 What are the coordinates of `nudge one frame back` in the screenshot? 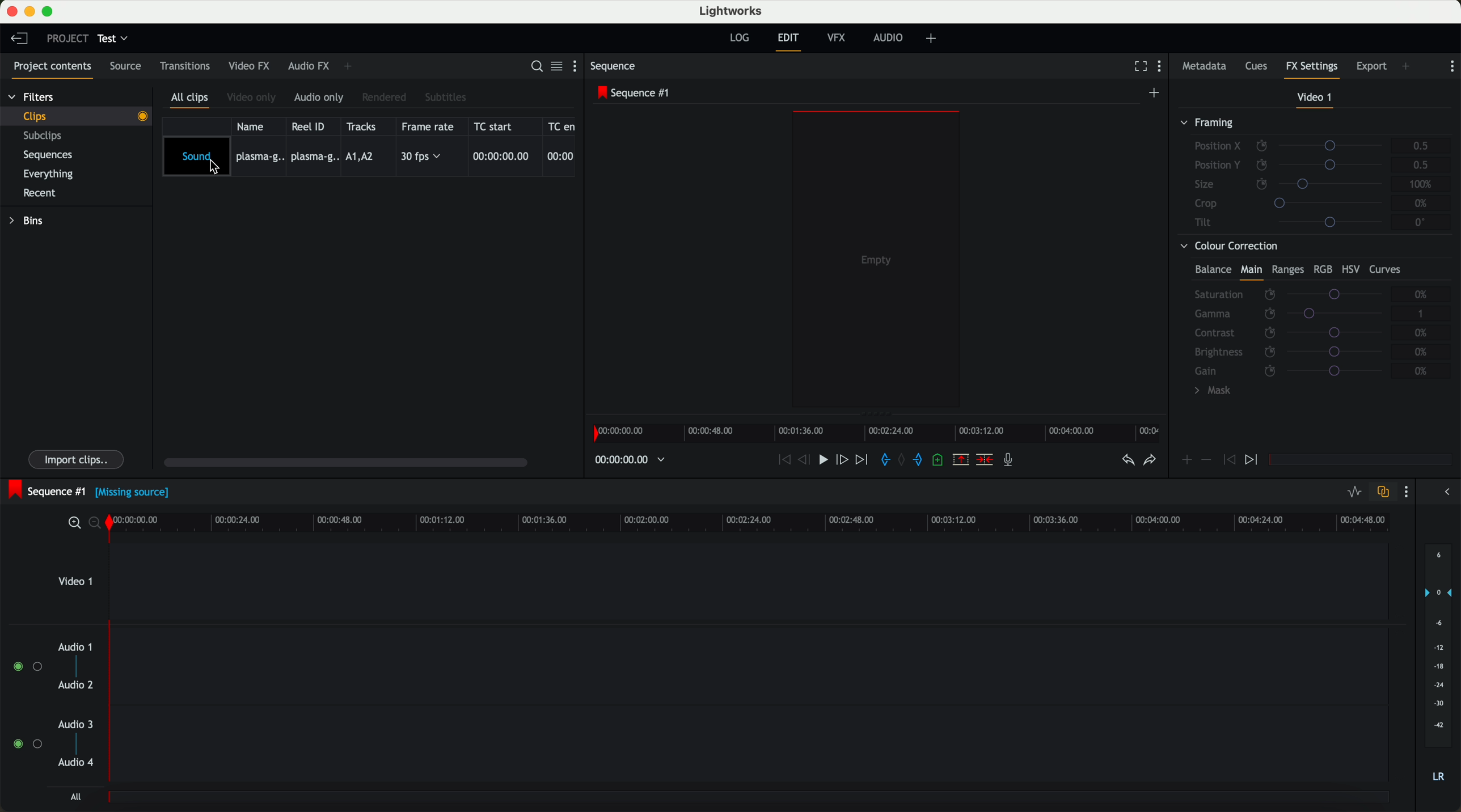 It's located at (807, 460).